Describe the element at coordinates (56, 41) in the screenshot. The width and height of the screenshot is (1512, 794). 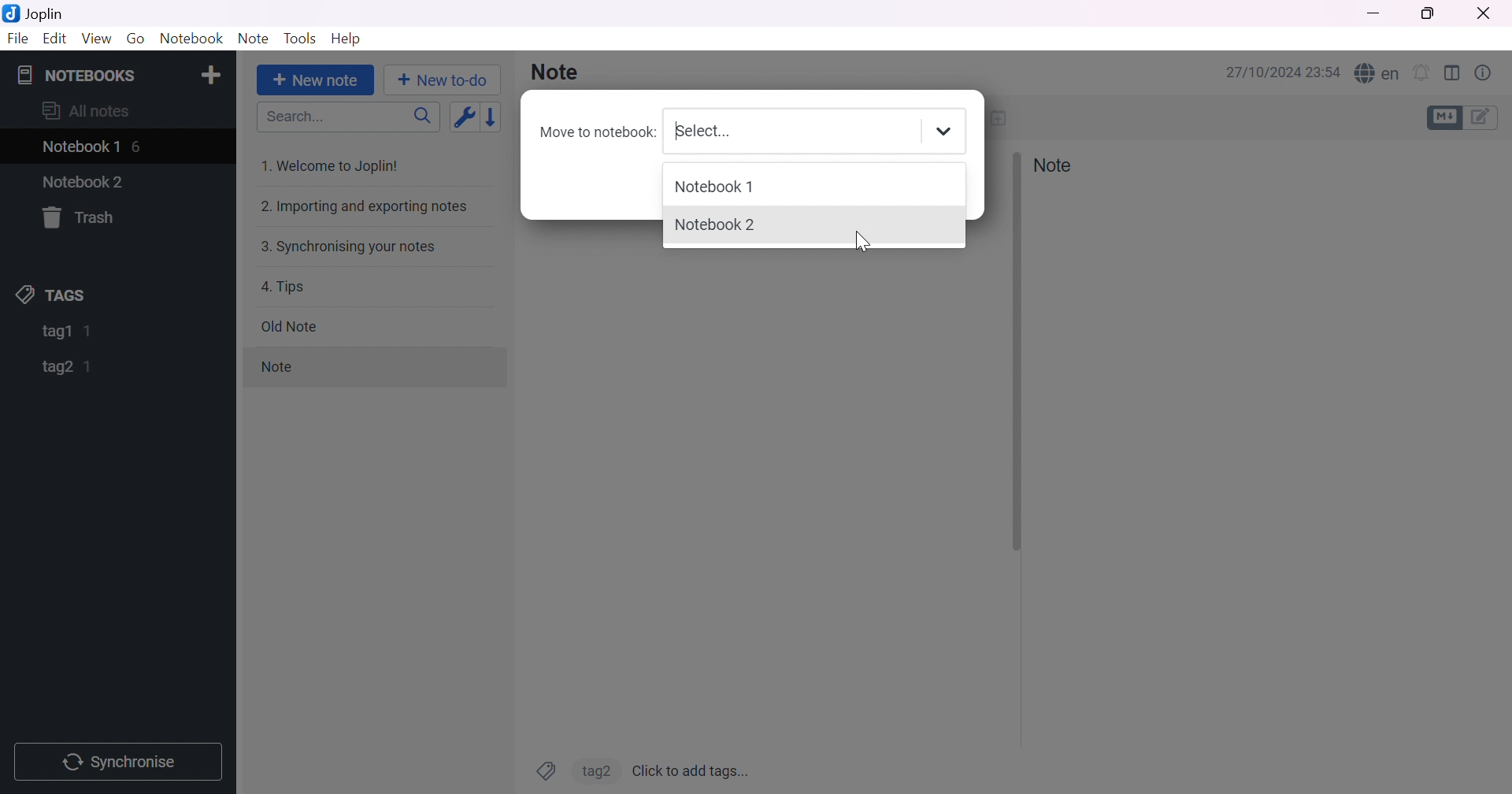
I see `Edit` at that location.